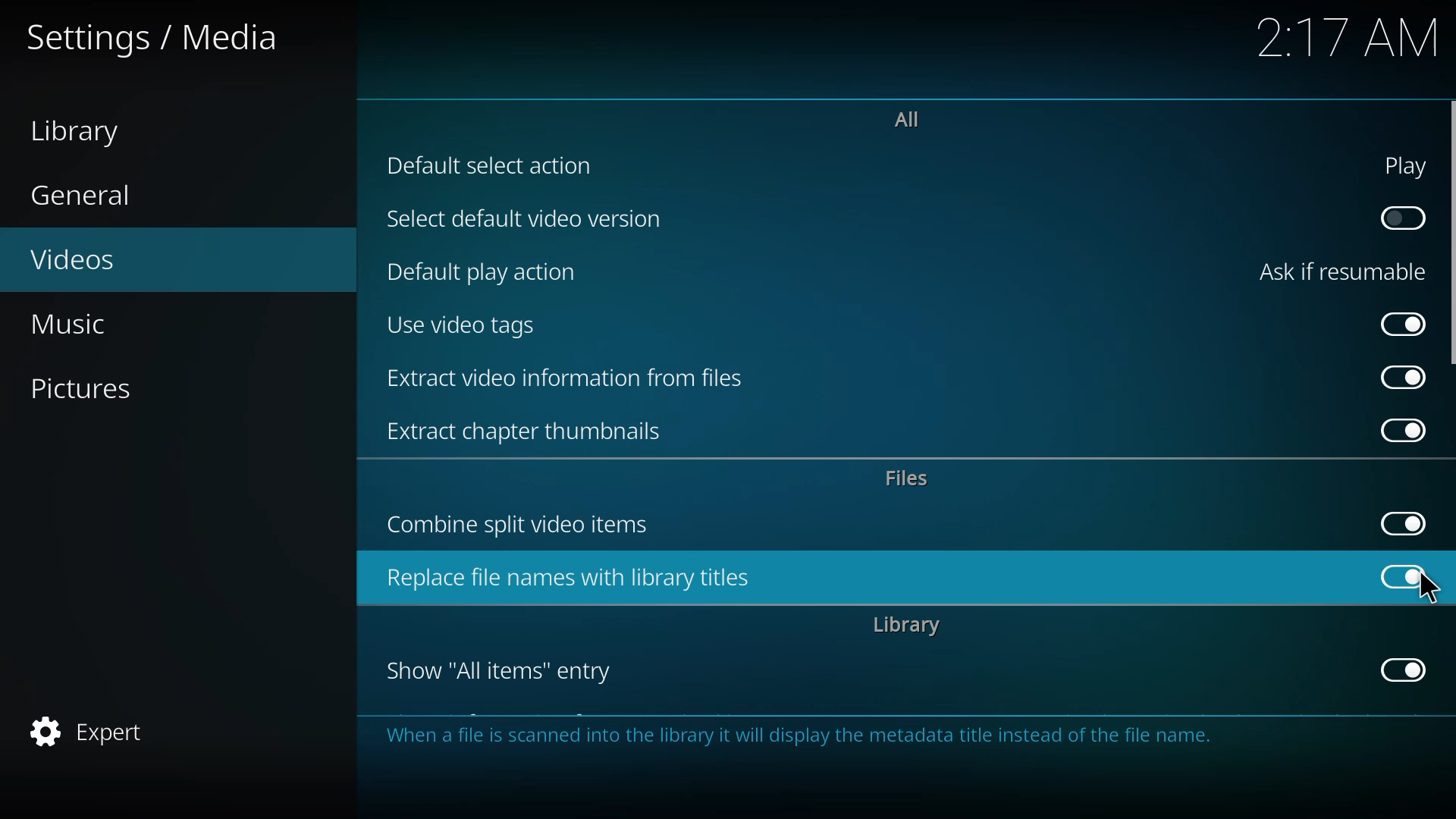  What do you see at coordinates (1404, 576) in the screenshot?
I see `enabled` at bounding box center [1404, 576].